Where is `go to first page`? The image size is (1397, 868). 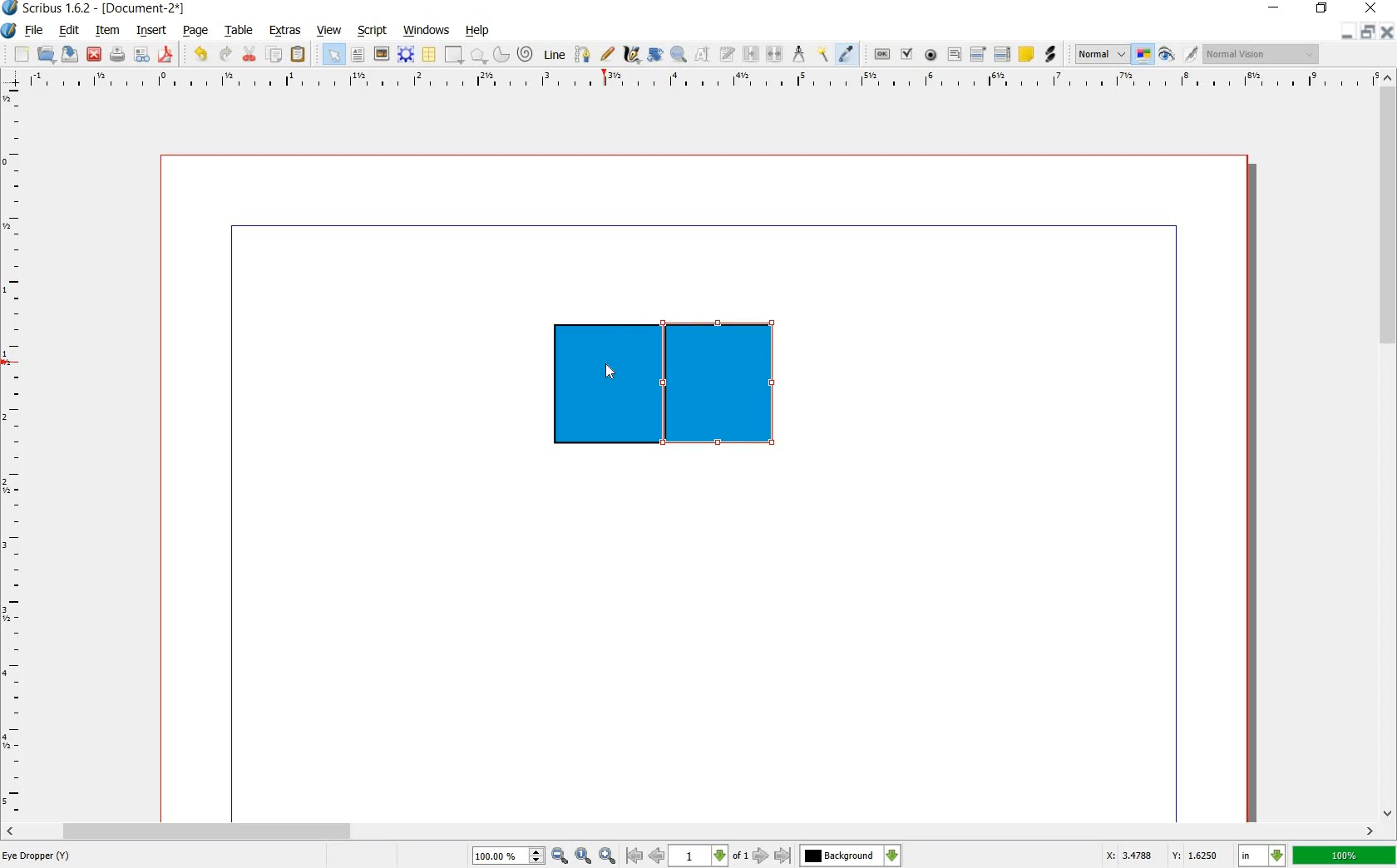
go to first page is located at coordinates (634, 856).